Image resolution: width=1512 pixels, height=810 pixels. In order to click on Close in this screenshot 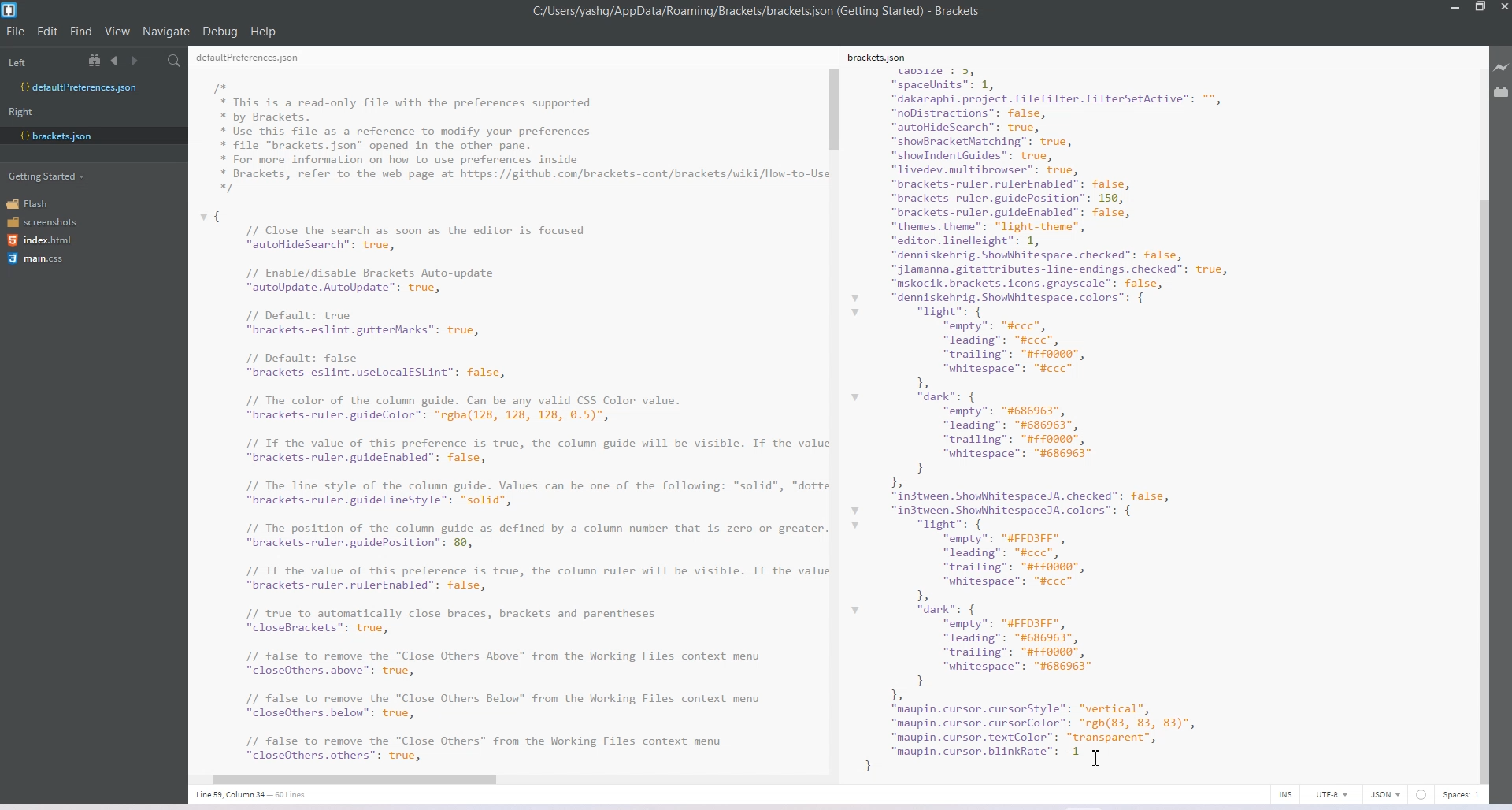, I will do `click(1503, 9)`.